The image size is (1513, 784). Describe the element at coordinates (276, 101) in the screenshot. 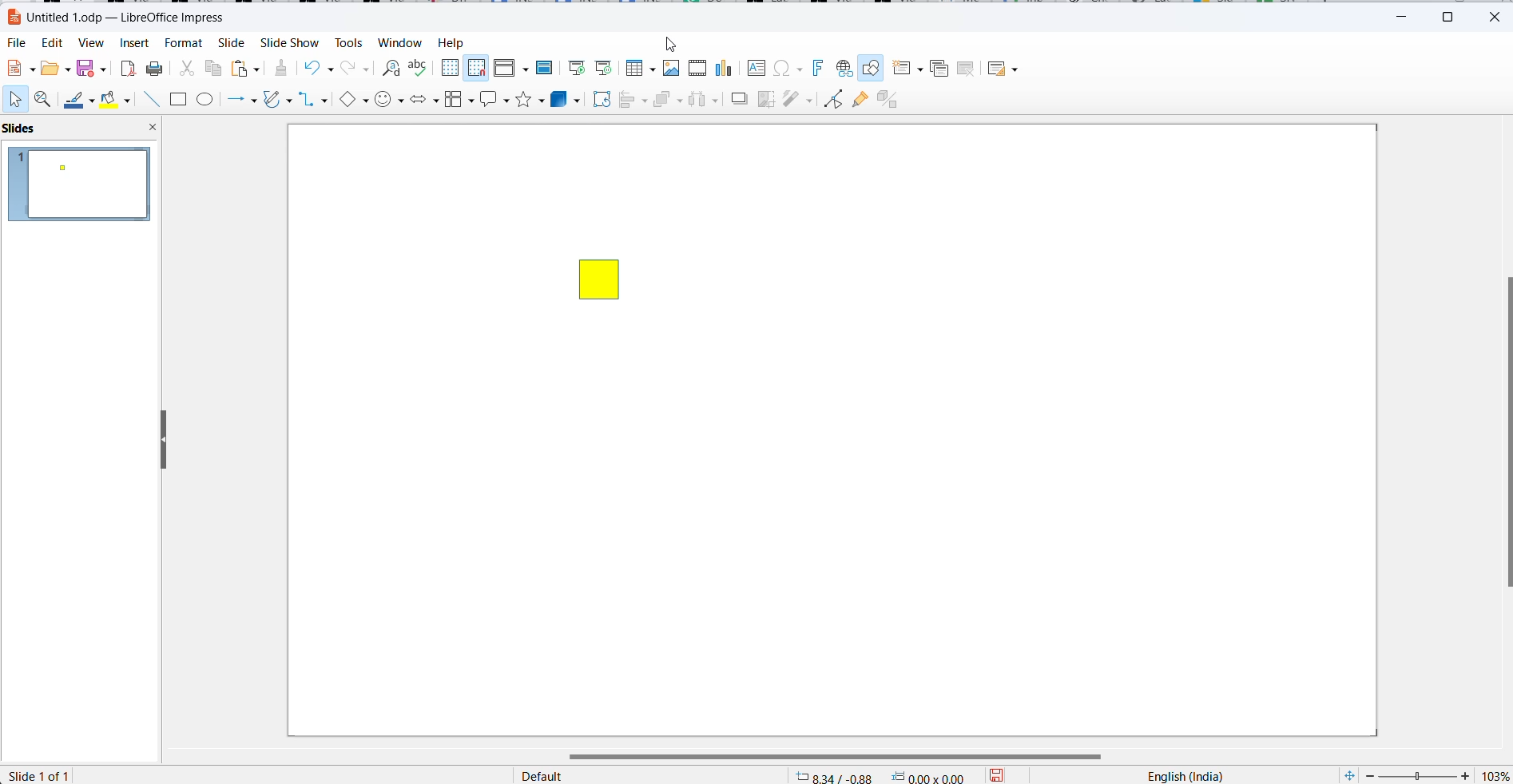

I see `curves and polygons` at that location.